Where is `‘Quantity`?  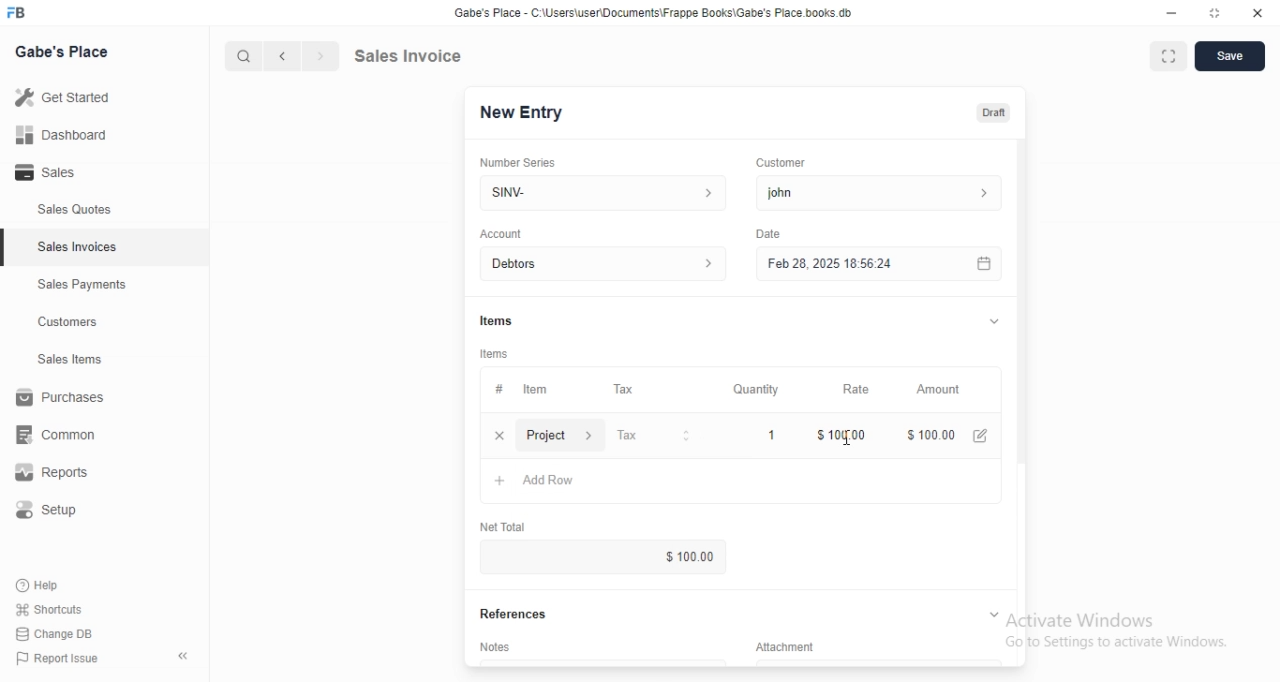 ‘Quantity is located at coordinates (755, 389).